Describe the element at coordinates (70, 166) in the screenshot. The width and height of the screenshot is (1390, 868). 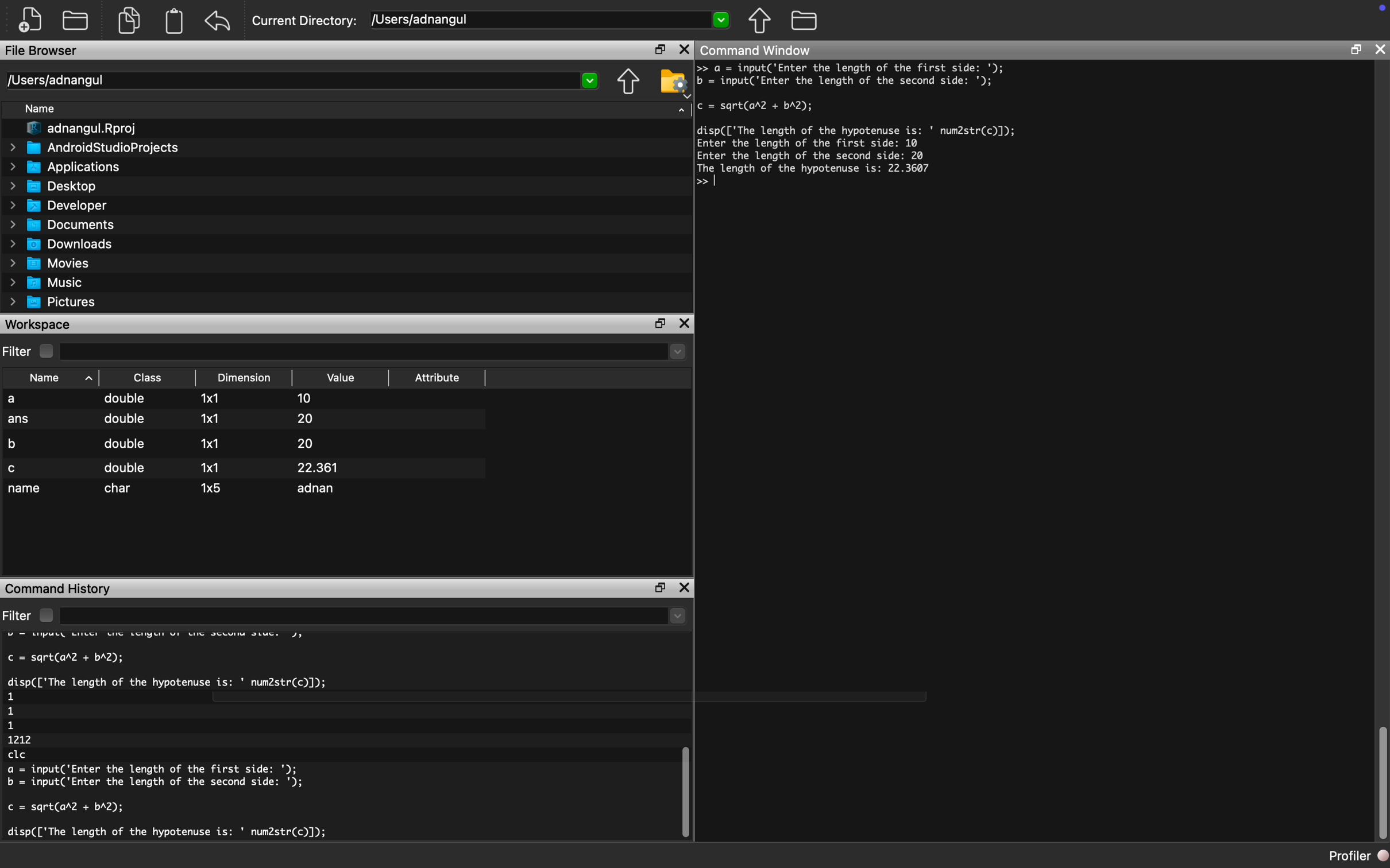
I see ` Applications` at that location.